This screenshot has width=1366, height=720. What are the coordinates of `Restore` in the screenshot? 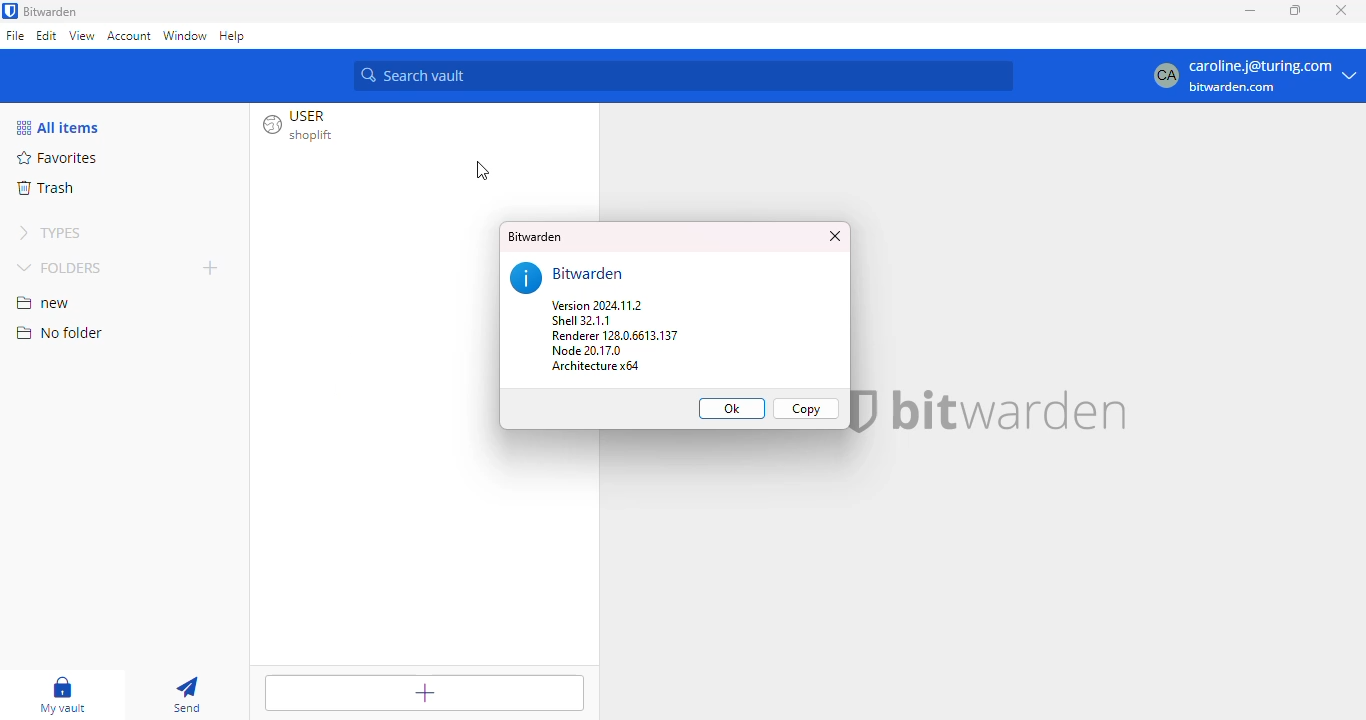 It's located at (1295, 11).